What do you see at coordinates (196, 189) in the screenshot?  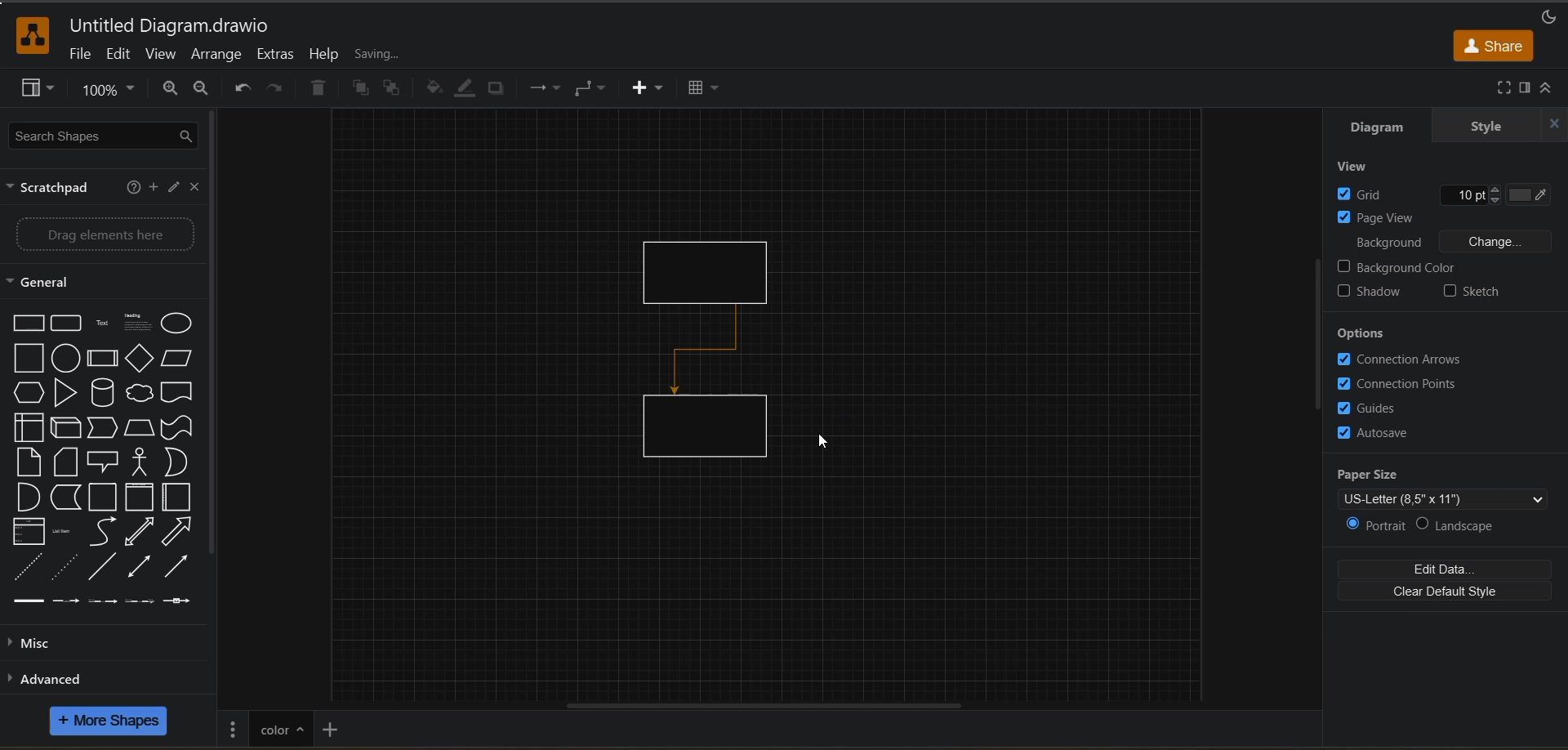 I see `close` at bounding box center [196, 189].